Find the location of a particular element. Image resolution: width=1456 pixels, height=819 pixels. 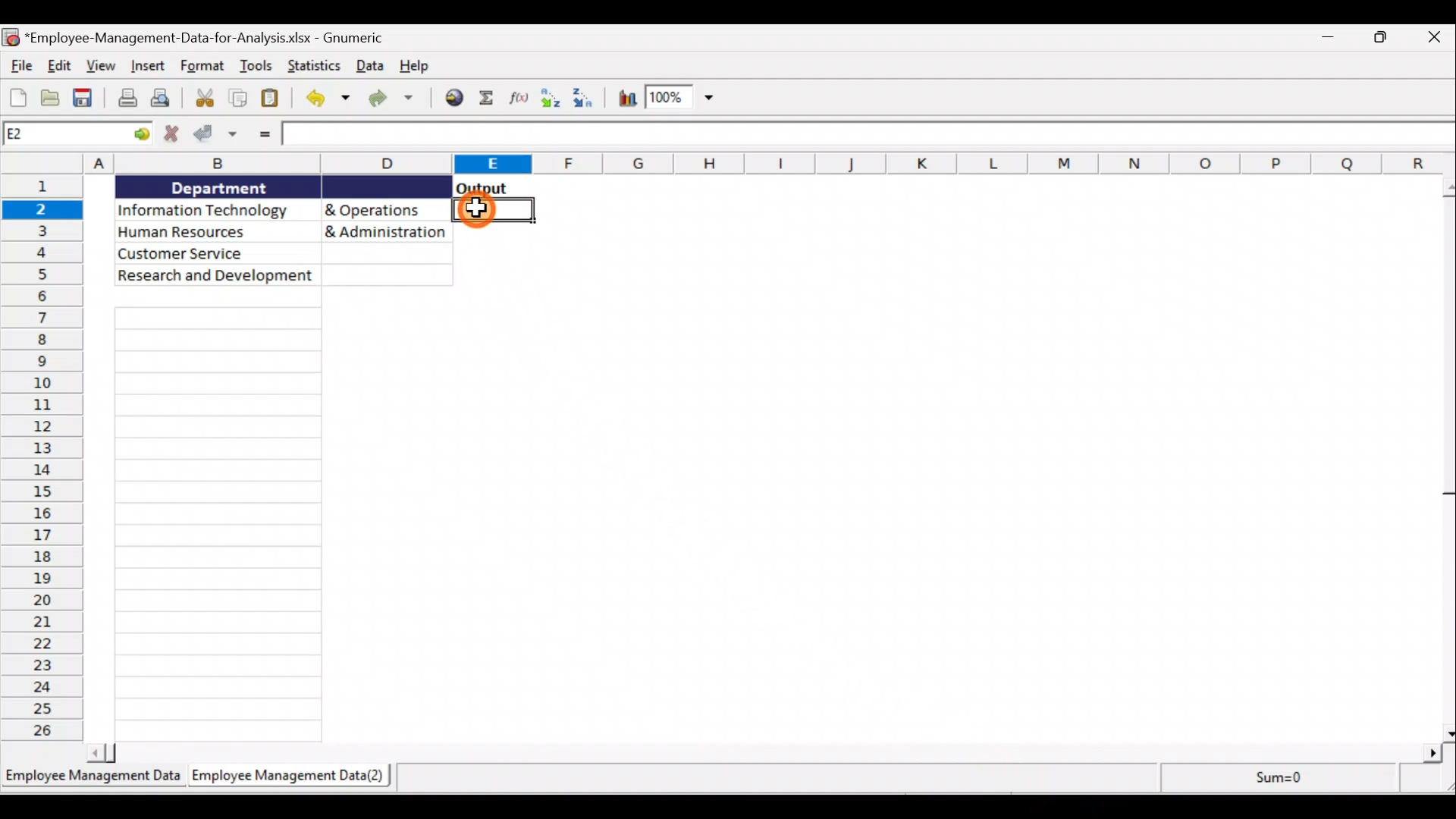

Sort Descending is located at coordinates (589, 96).